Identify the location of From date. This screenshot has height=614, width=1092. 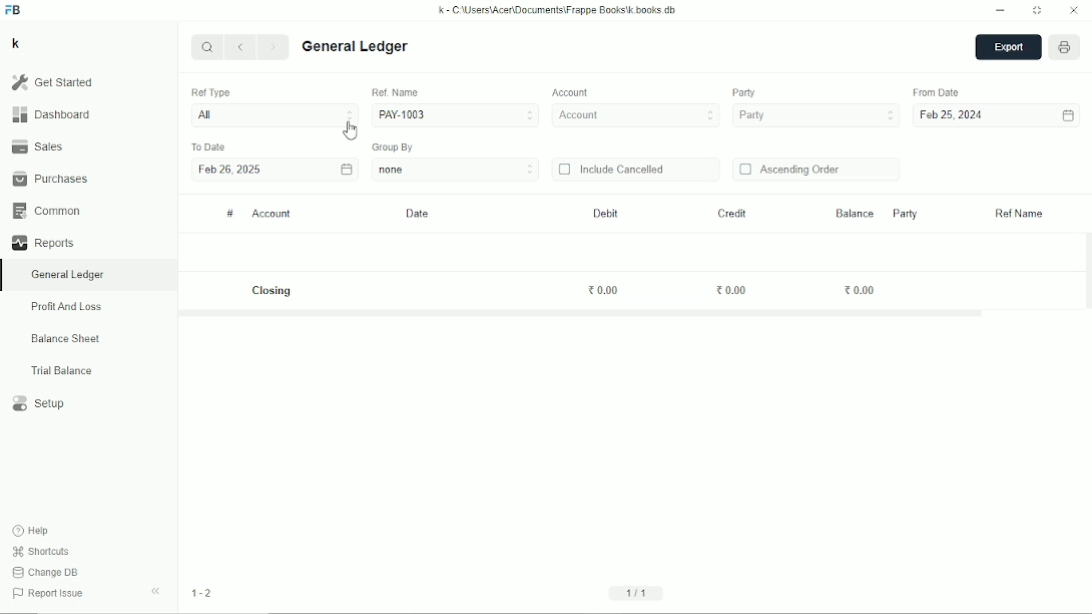
(938, 92).